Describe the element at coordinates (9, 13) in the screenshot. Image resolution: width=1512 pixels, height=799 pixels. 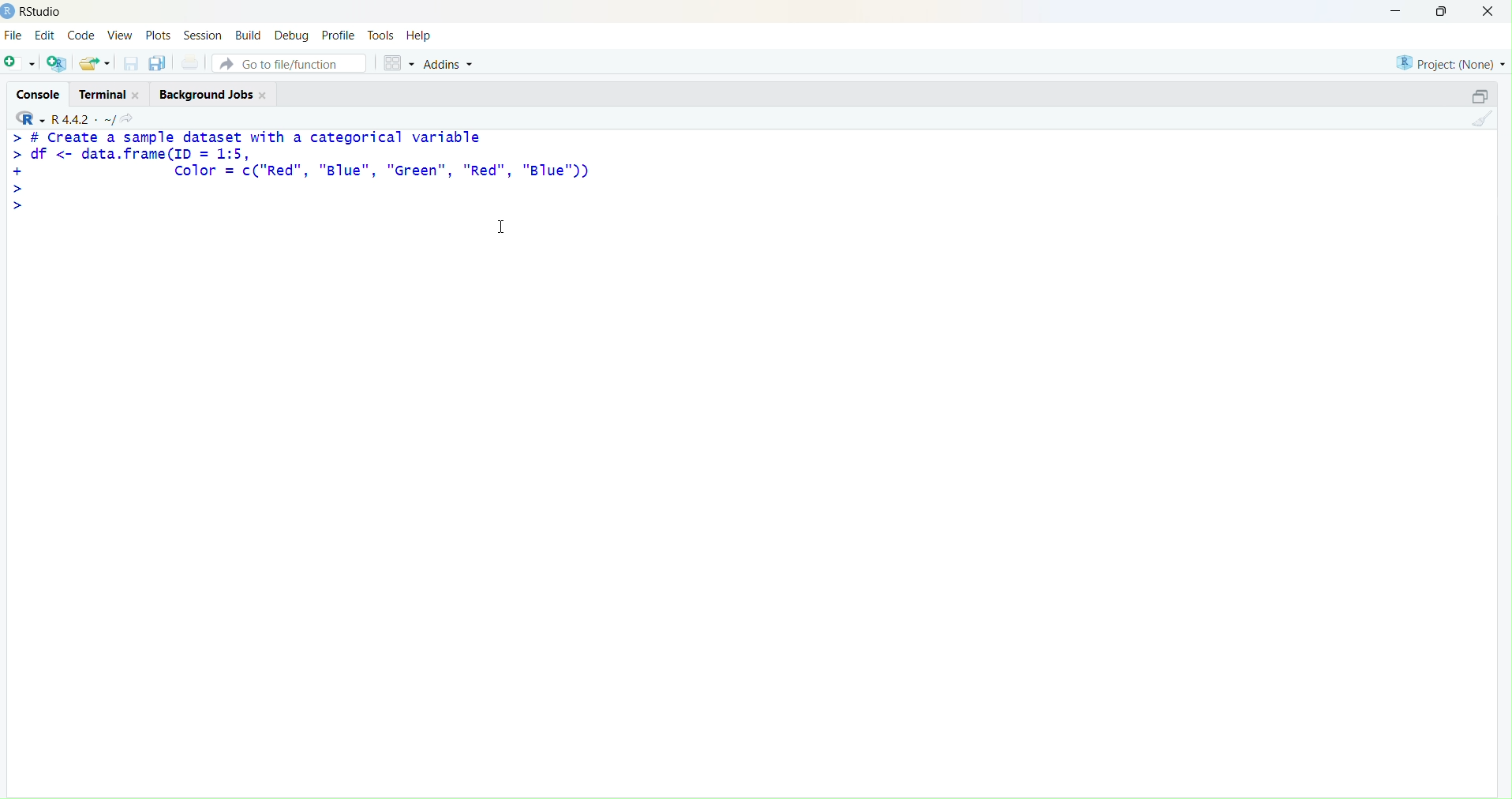
I see `logo` at that location.